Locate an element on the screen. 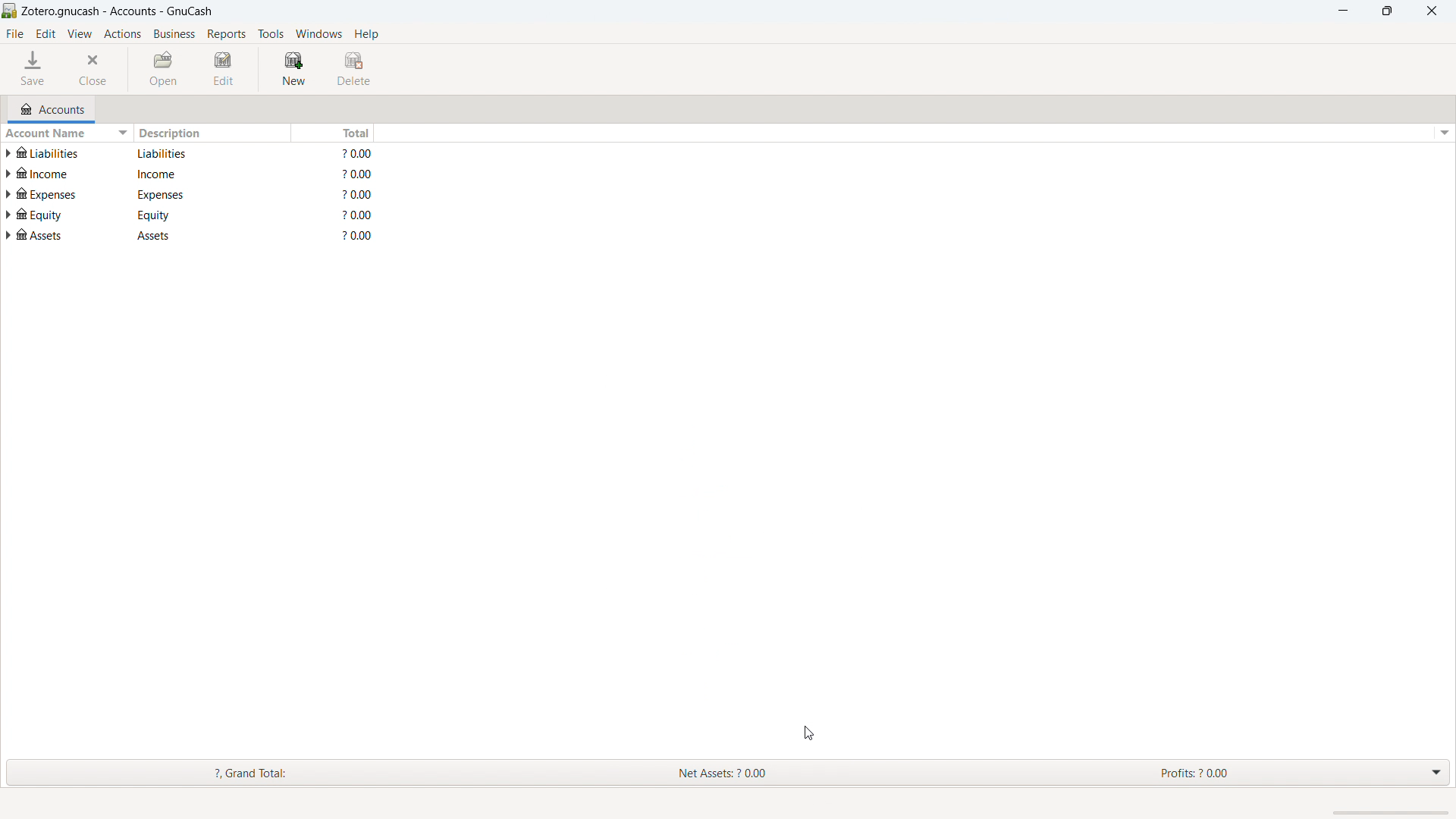 This screenshot has width=1456, height=819. Profits: 2 0.00 is located at coordinates (1278, 772).